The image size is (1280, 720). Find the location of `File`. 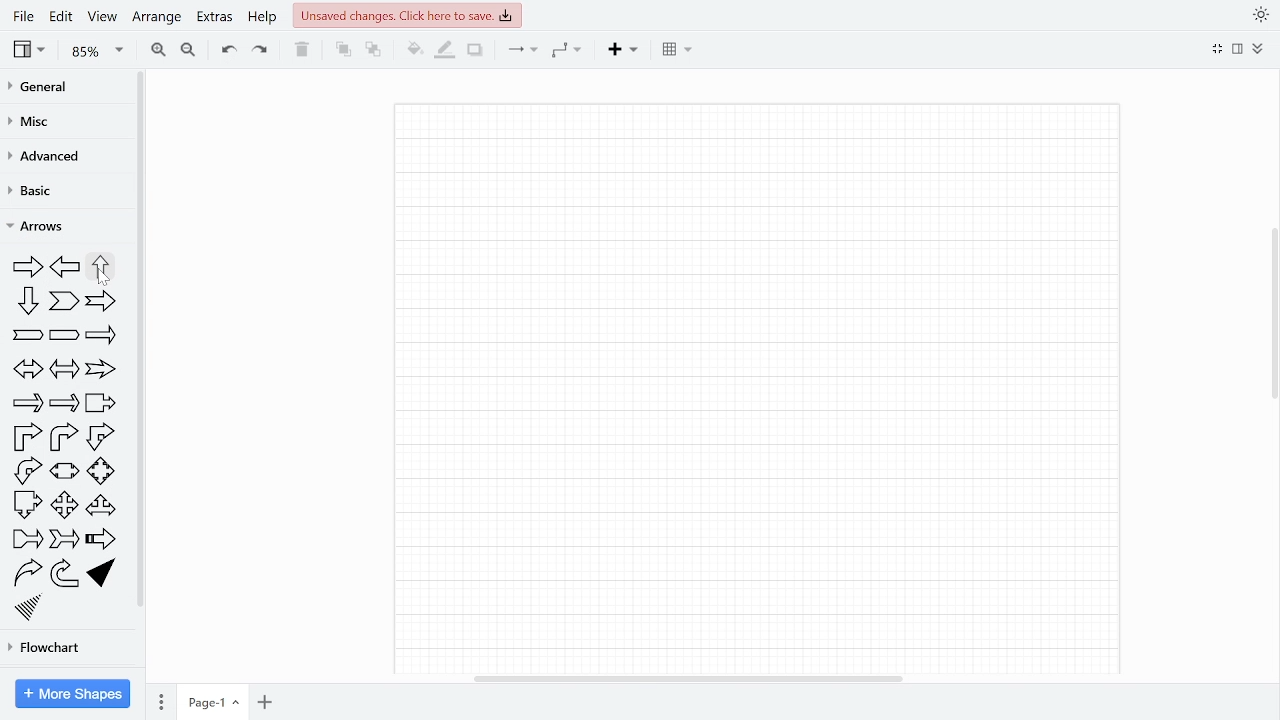

File is located at coordinates (22, 16).